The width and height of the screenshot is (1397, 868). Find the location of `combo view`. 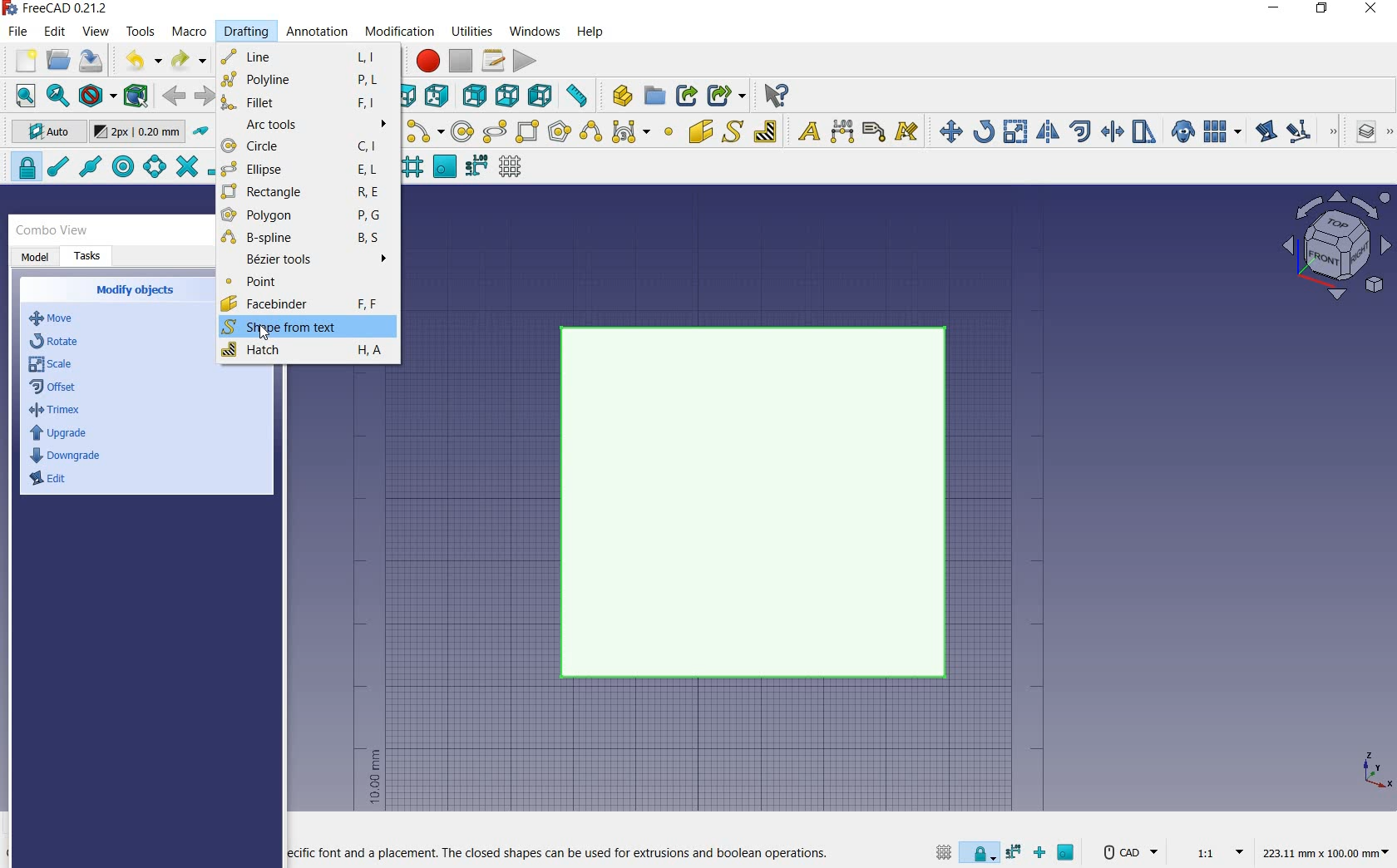

combo view is located at coordinates (52, 230).